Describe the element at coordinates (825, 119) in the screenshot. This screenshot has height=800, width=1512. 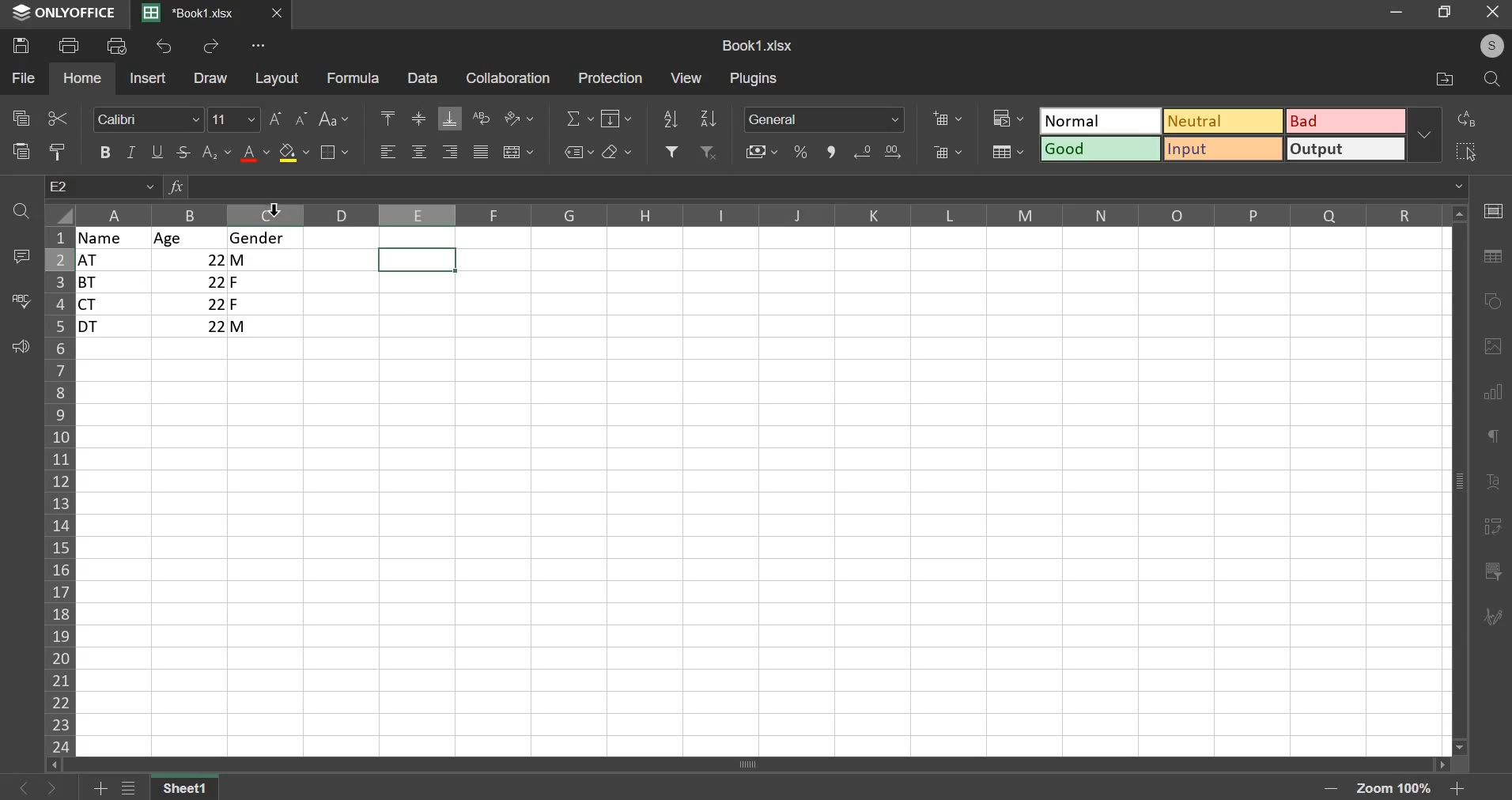
I see `number format` at that location.